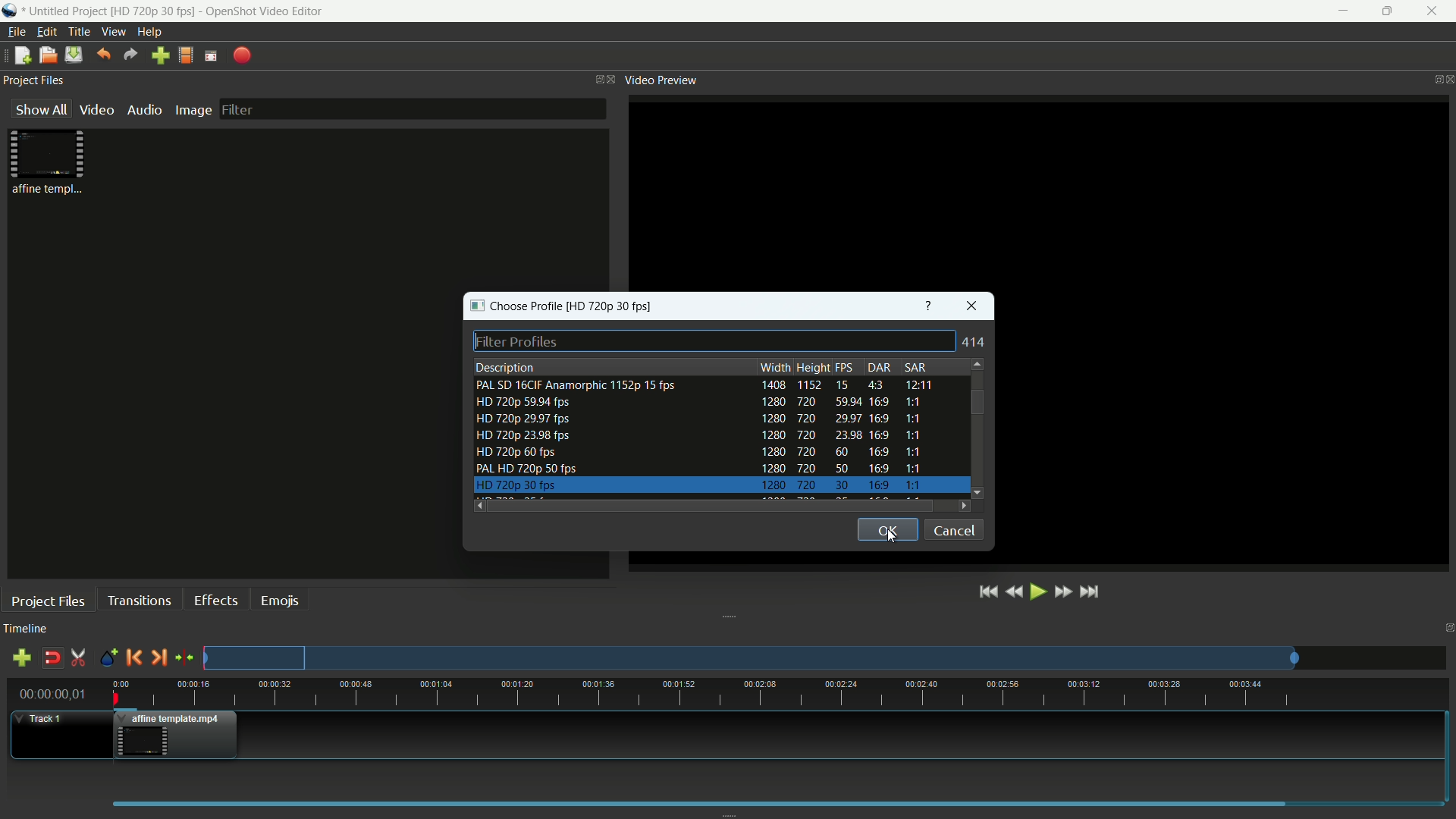  What do you see at coordinates (115, 31) in the screenshot?
I see `view menu` at bounding box center [115, 31].